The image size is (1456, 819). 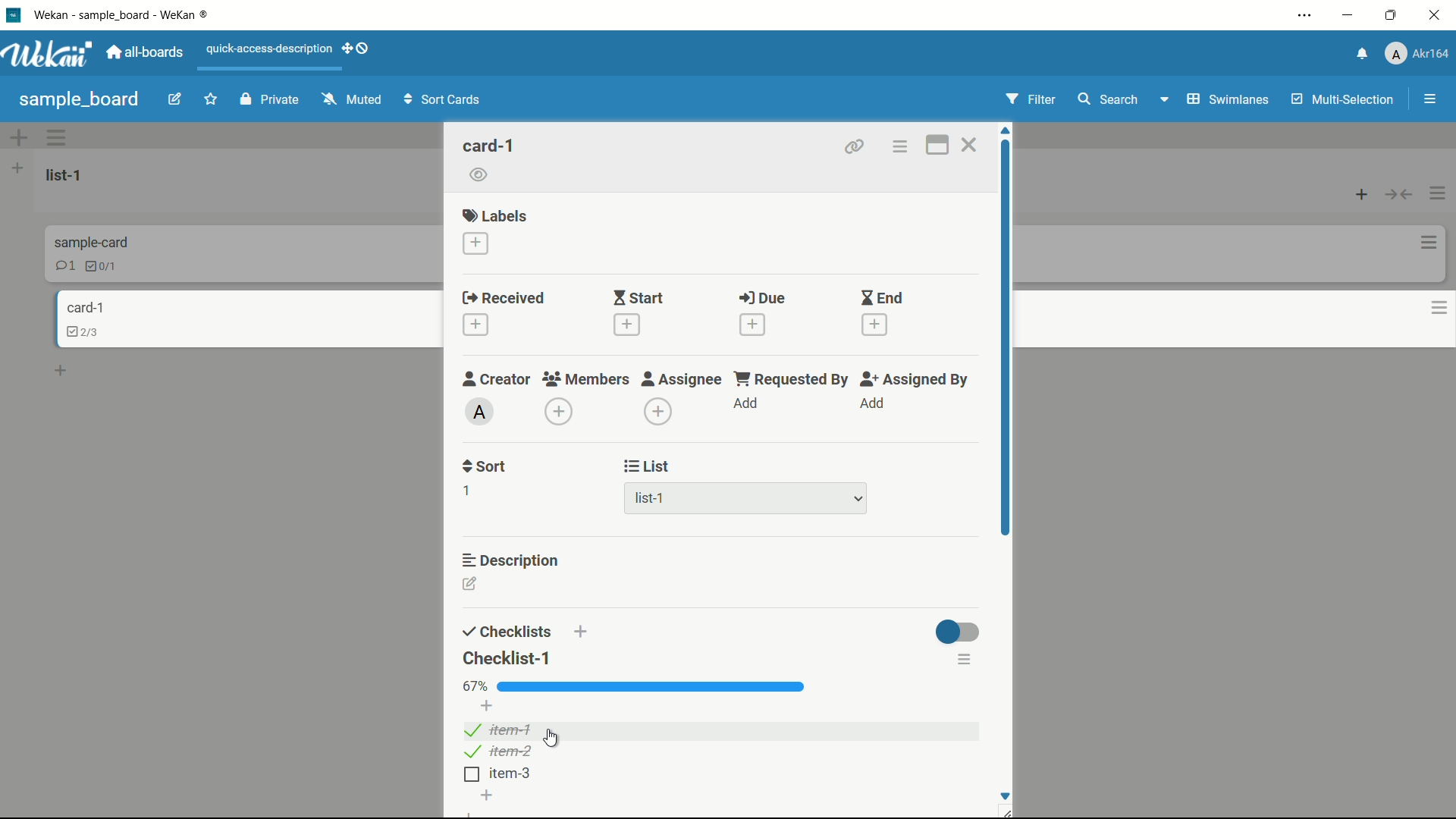 I want to click on maximize, so click(x=1392, y=16).